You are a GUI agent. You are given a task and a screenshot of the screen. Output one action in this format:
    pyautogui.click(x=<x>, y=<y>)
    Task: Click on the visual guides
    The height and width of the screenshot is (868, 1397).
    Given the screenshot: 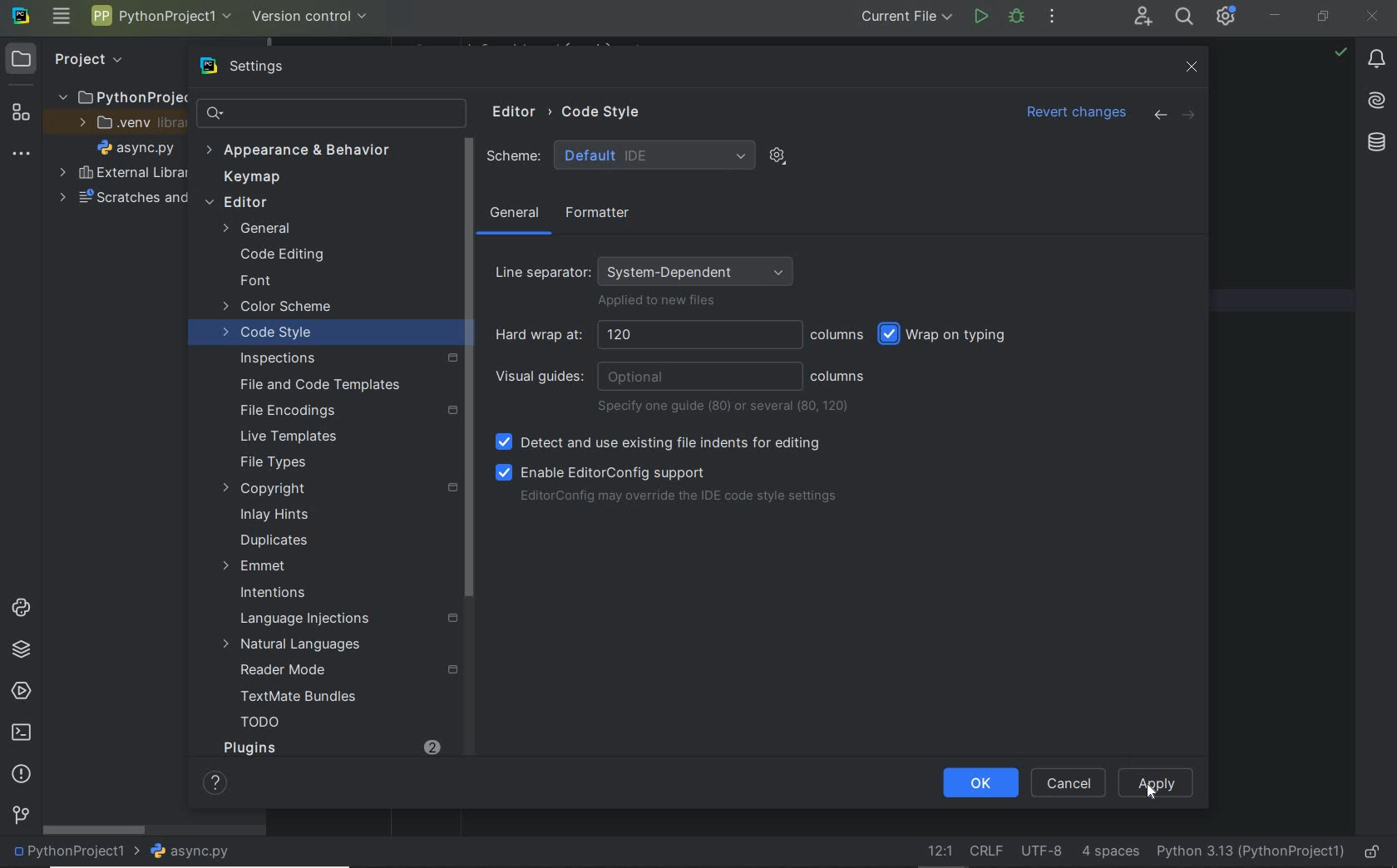 What is the action you would take?
    pyautogui.click(x=648, y=377)
    